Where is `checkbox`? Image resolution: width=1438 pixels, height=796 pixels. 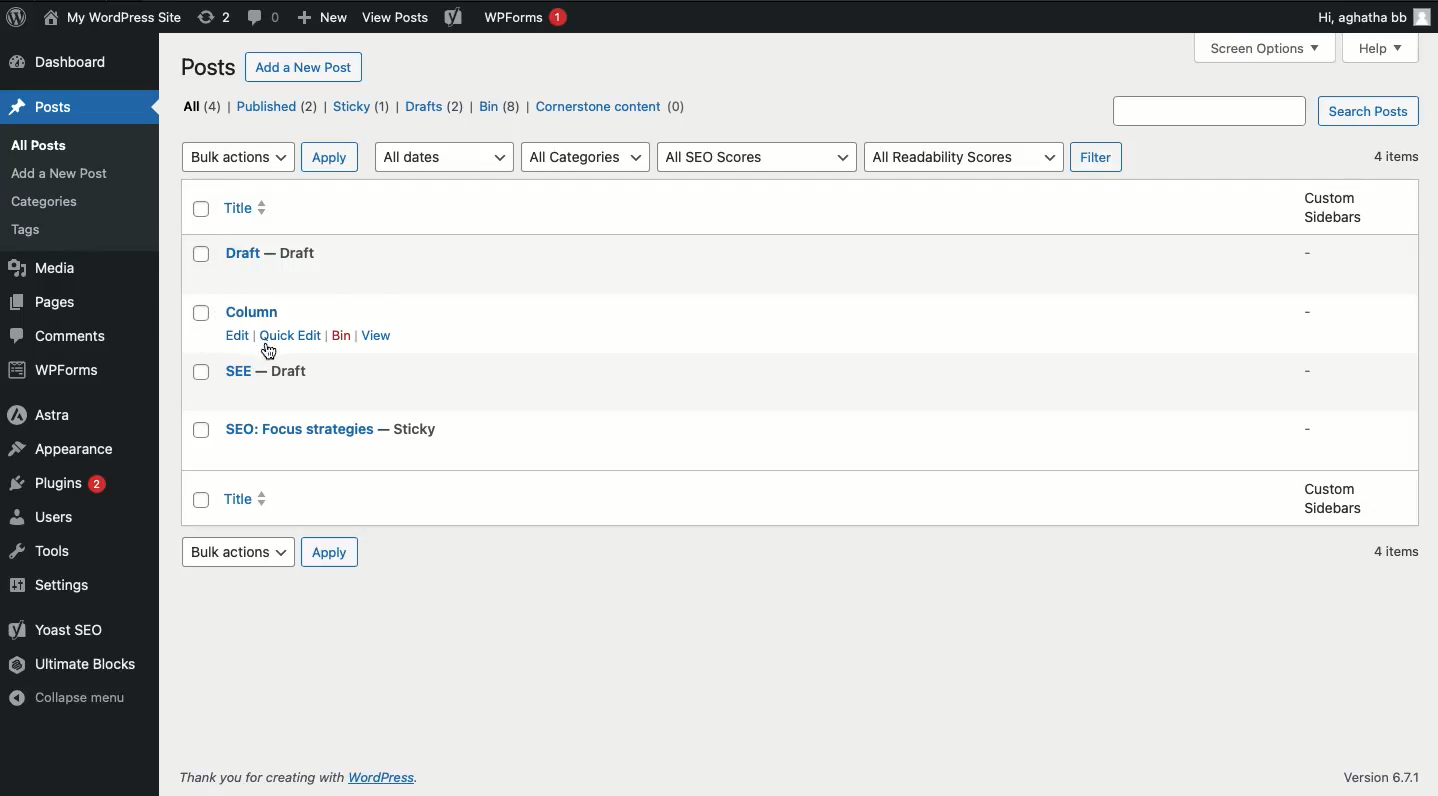
checkbox is located at coordinates (201, 432).